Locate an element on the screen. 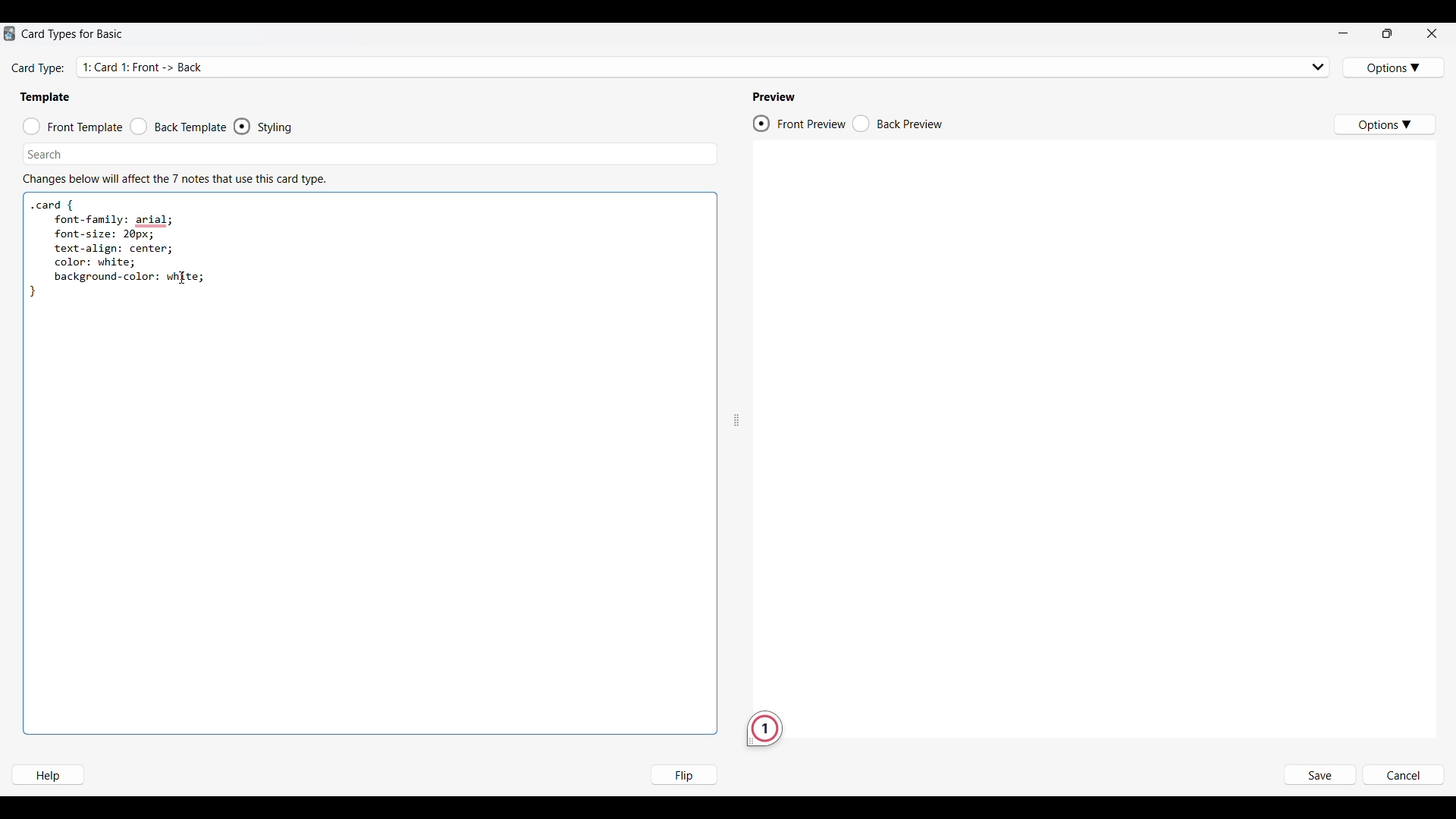 The width and height of the screenshot is (1456, 819). Preview back of card is located at coordinates (898, 124).